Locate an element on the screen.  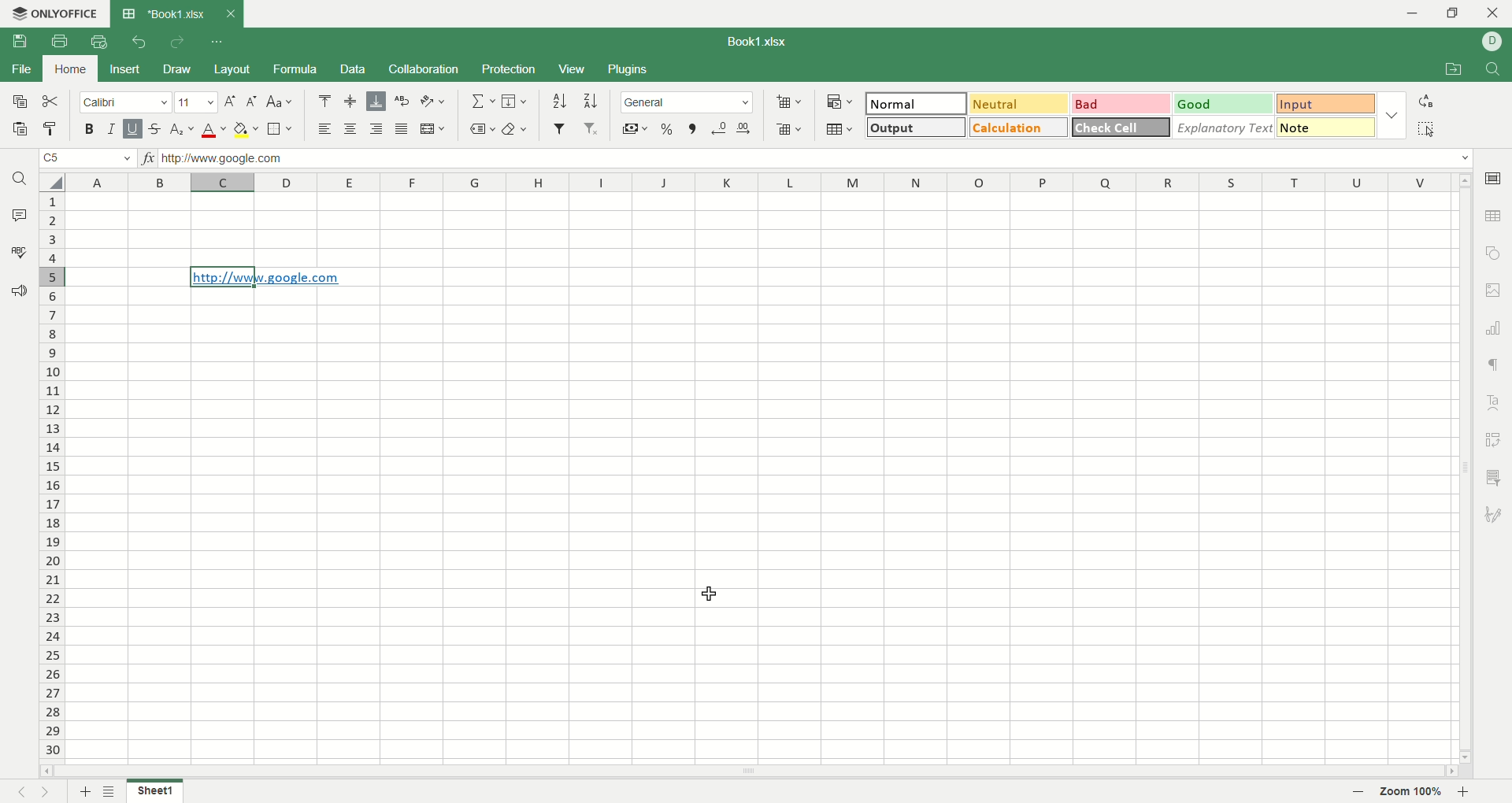
fill is located at coordinates (514, 102).